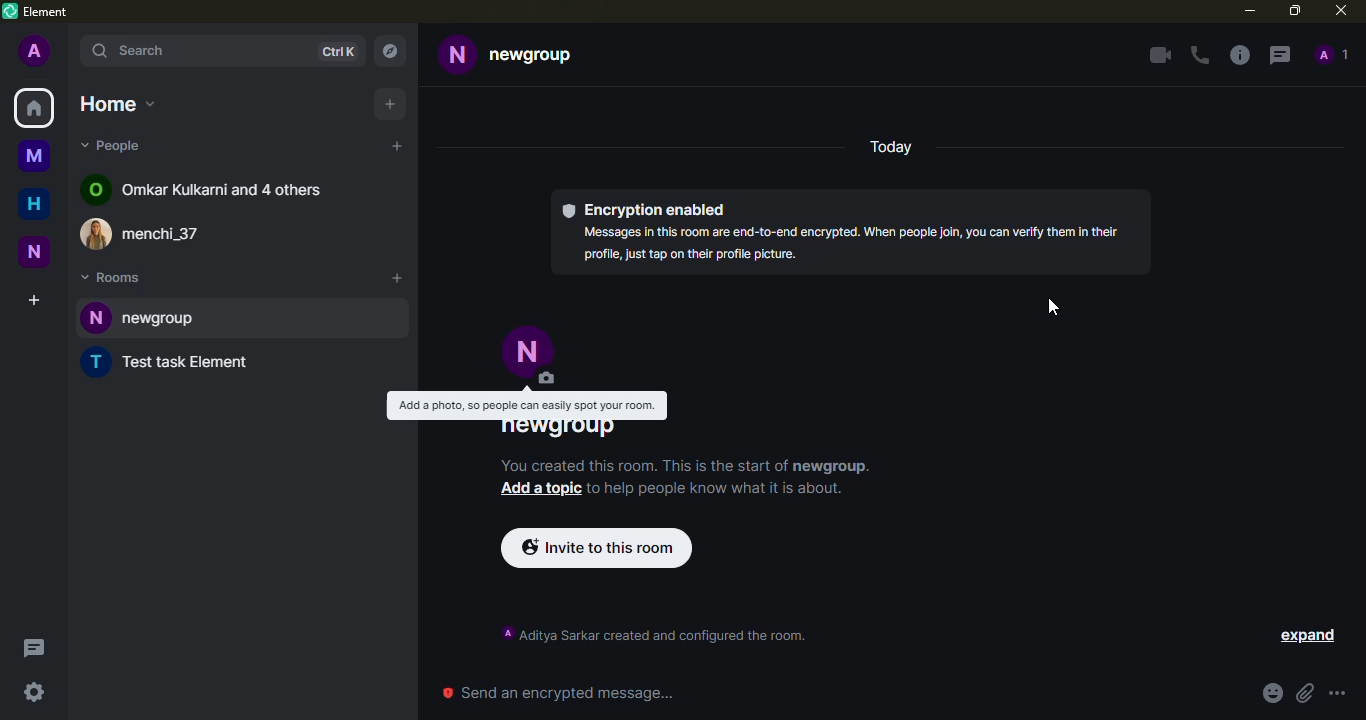 This screenshot has width=1366, height=720. I want to click on video call, so click(1160, 55).